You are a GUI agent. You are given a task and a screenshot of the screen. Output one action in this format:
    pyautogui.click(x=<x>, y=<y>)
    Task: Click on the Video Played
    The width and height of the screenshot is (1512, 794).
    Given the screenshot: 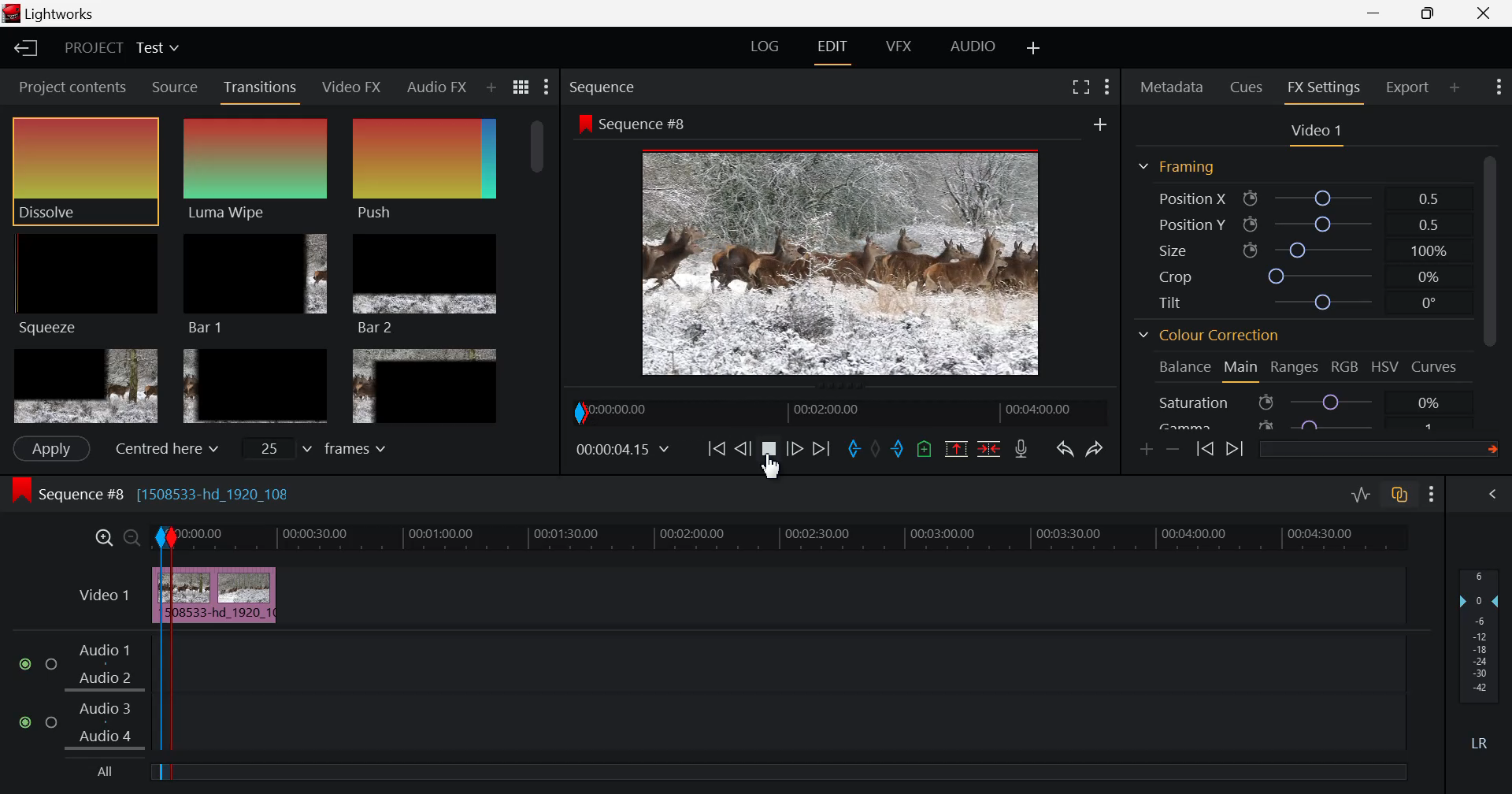 What is the action you would take?
    pyautogui.click(x=770, y=455)
    